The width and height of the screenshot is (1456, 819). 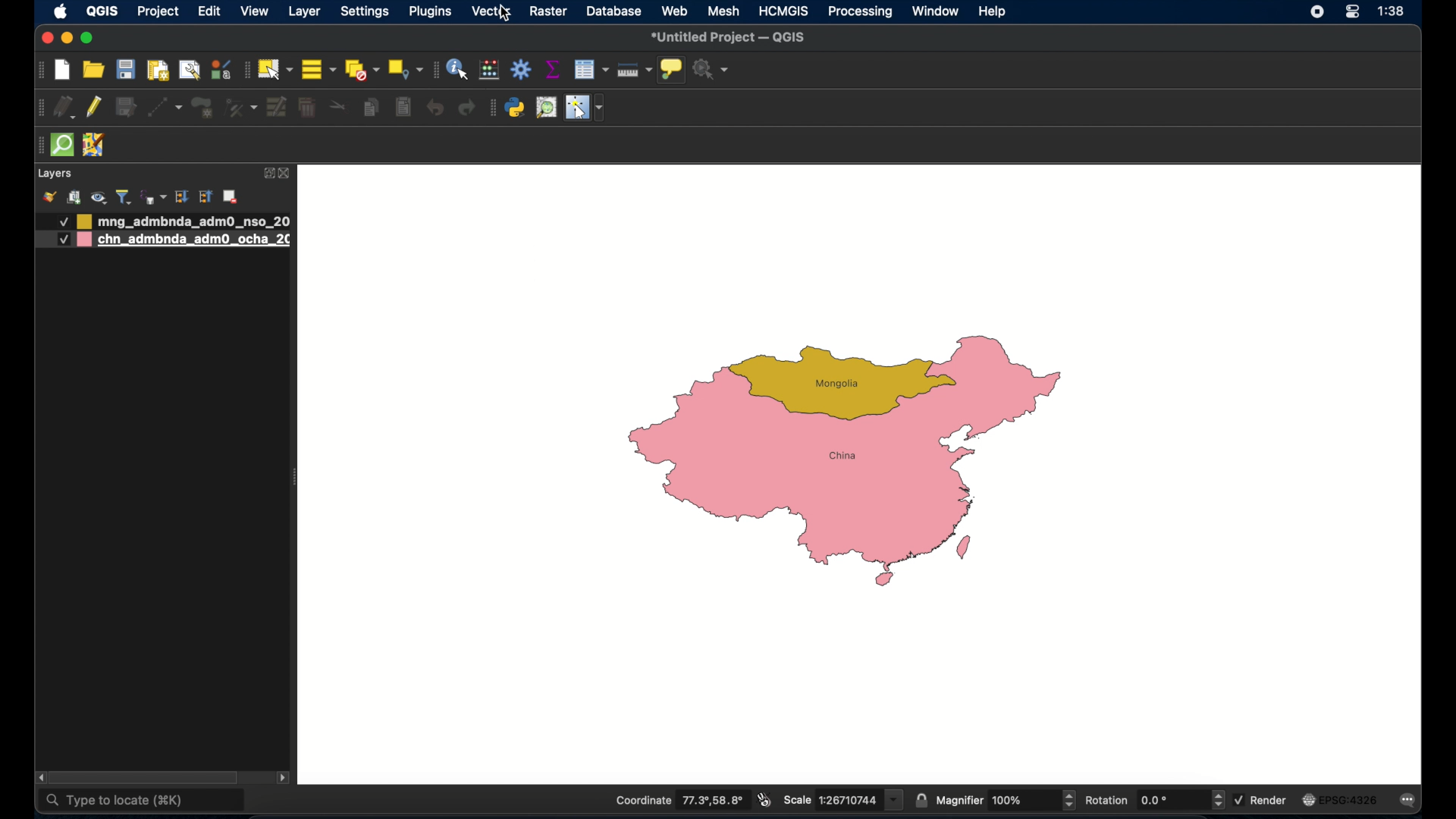 I want to click on delete selected, so click(x=307, y=108).